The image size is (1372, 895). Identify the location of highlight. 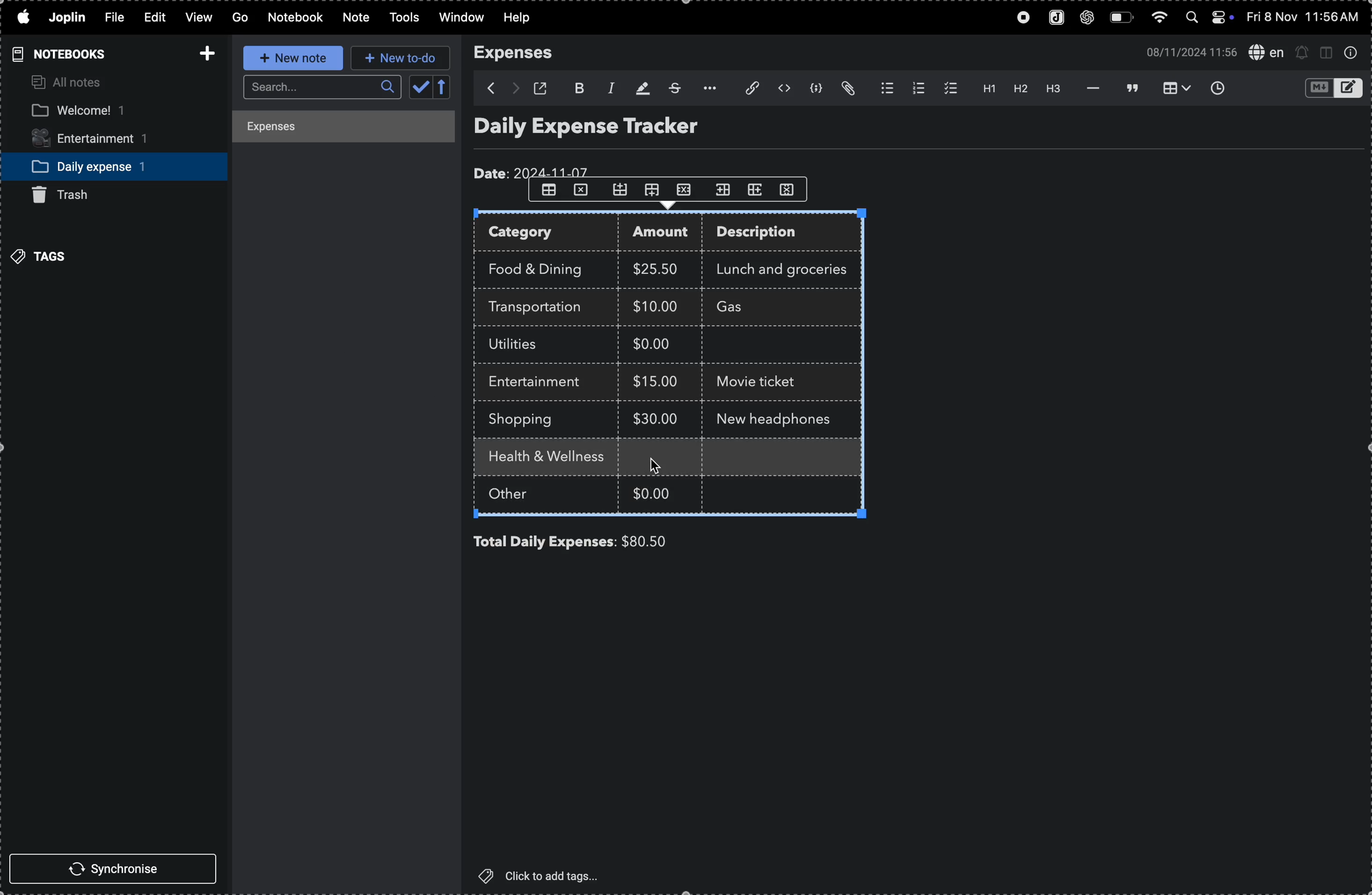
(640, 87).